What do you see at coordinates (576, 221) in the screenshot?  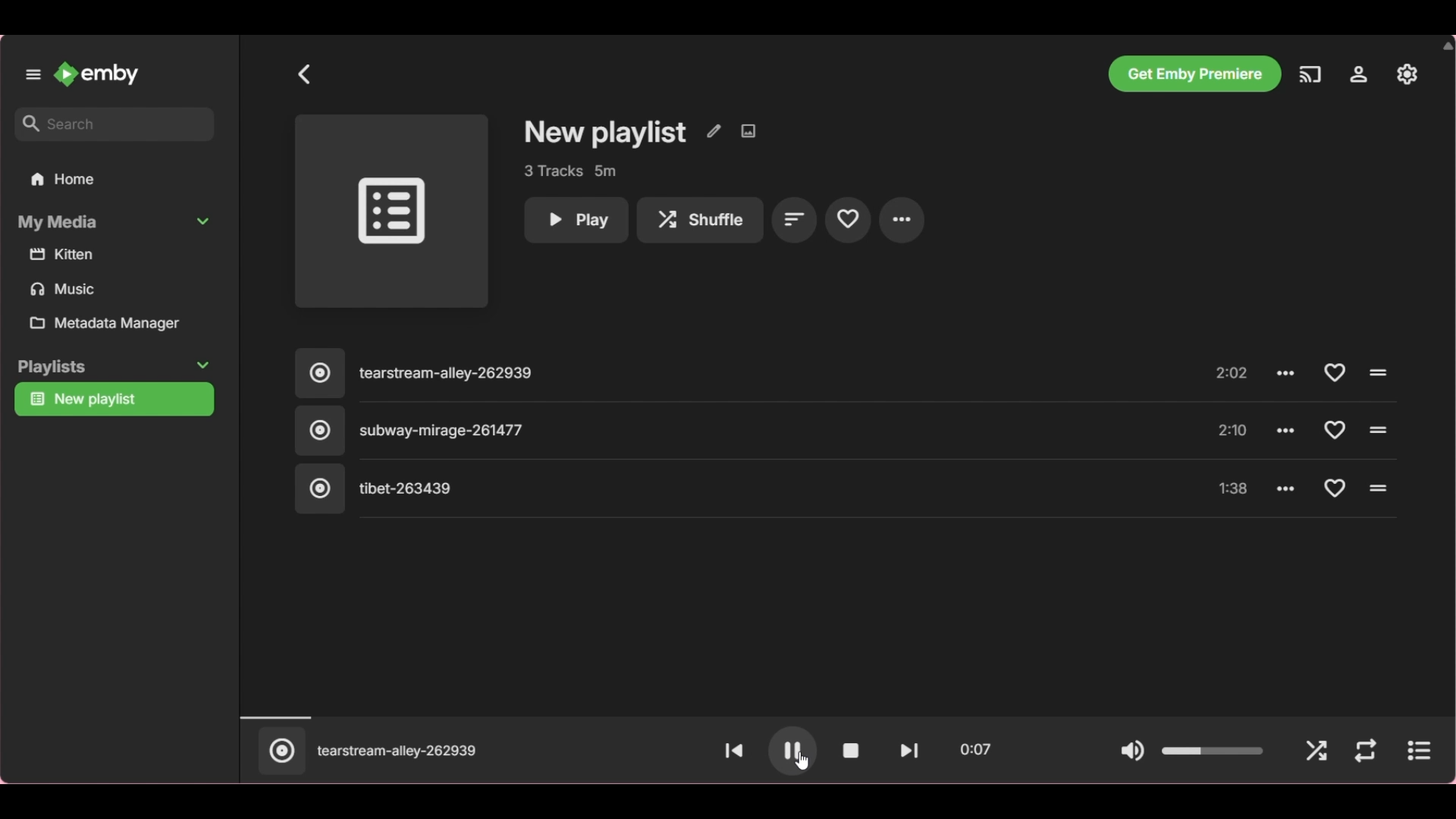 I see `Play` at bounding box center [576, 221].